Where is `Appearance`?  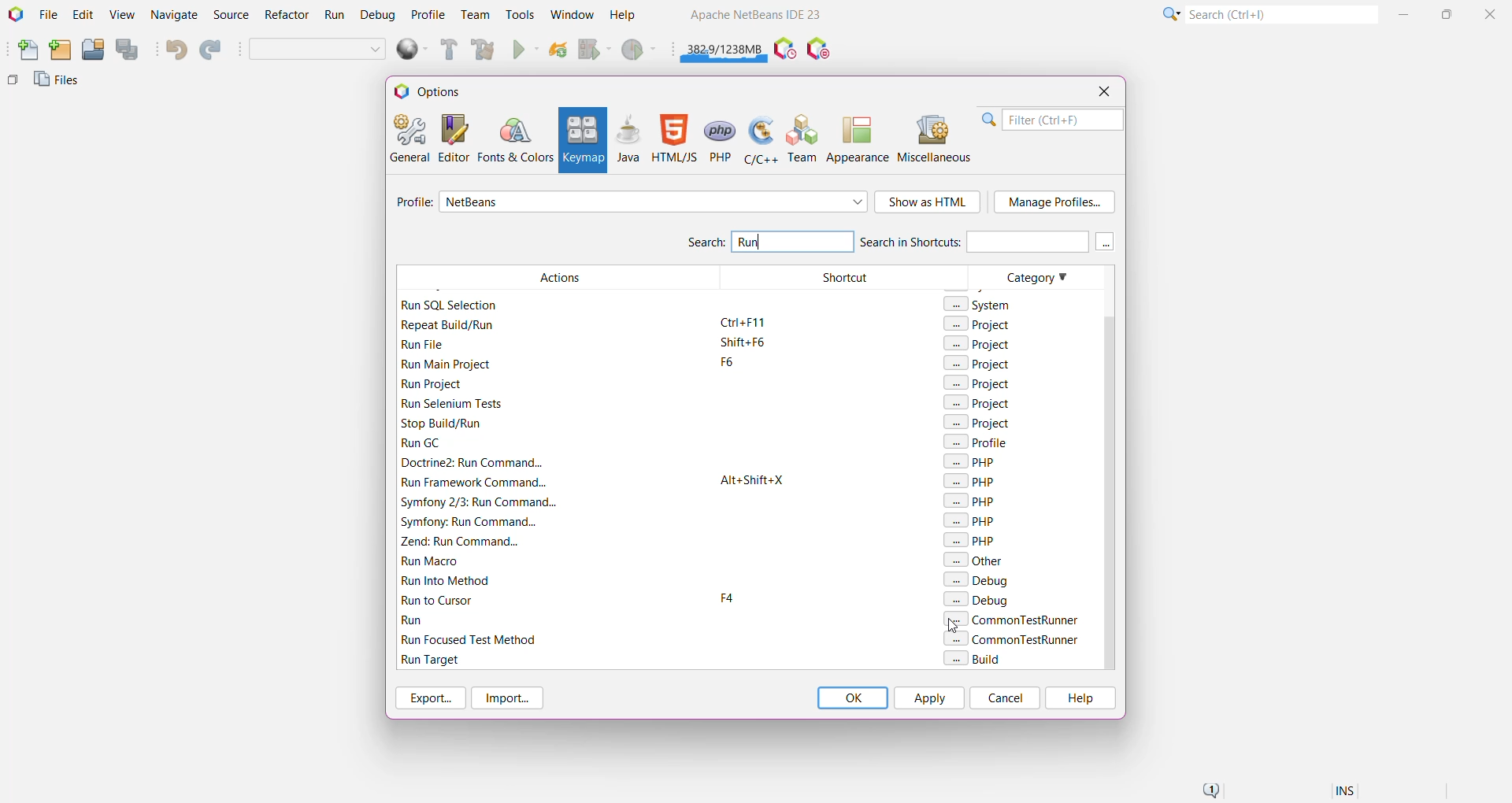
Appearance is located at coordinates (858, 139).